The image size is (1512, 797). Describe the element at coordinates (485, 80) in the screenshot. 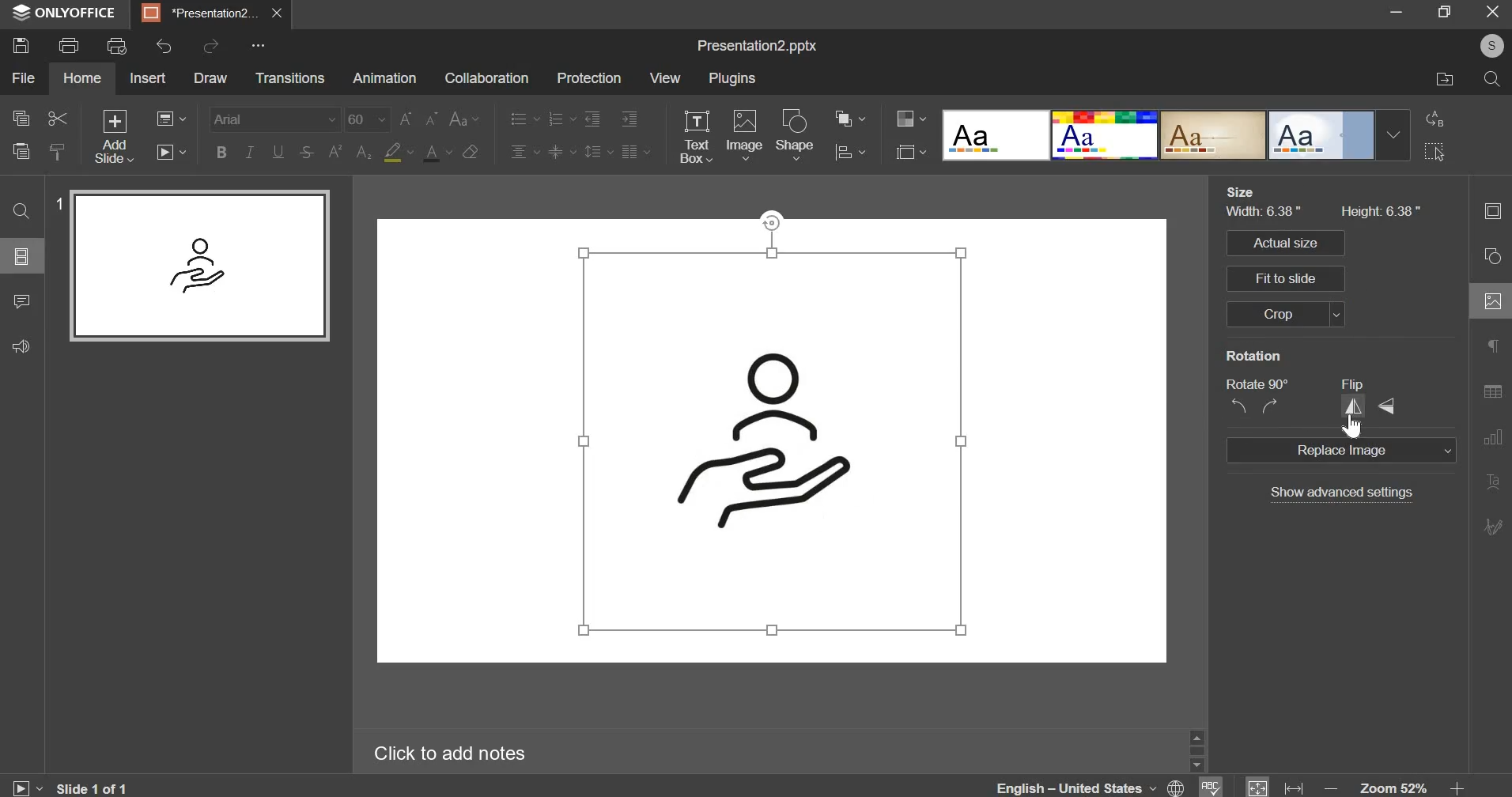

I see `collaboration` at that location.